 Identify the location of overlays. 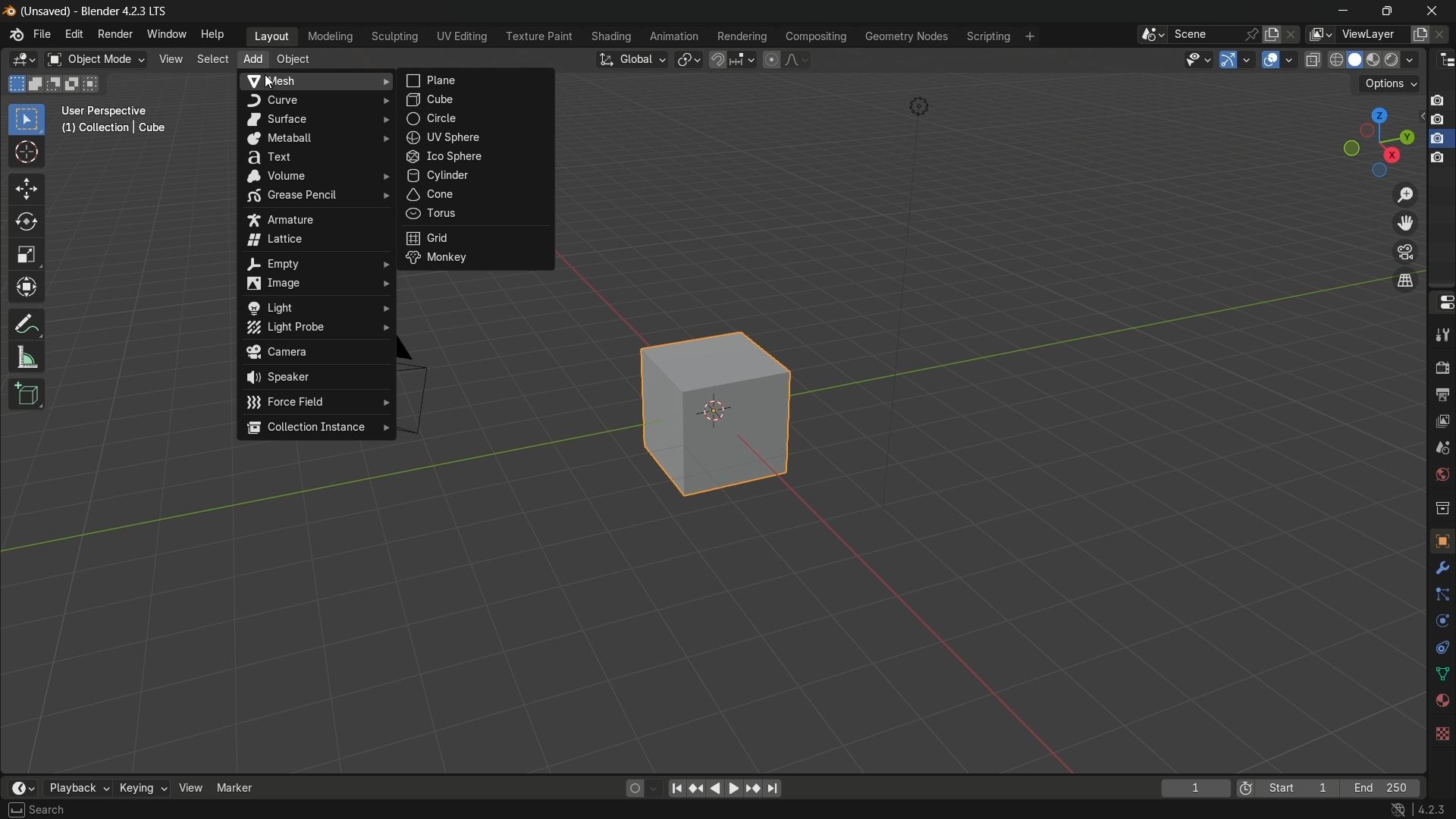
(1288, 58).